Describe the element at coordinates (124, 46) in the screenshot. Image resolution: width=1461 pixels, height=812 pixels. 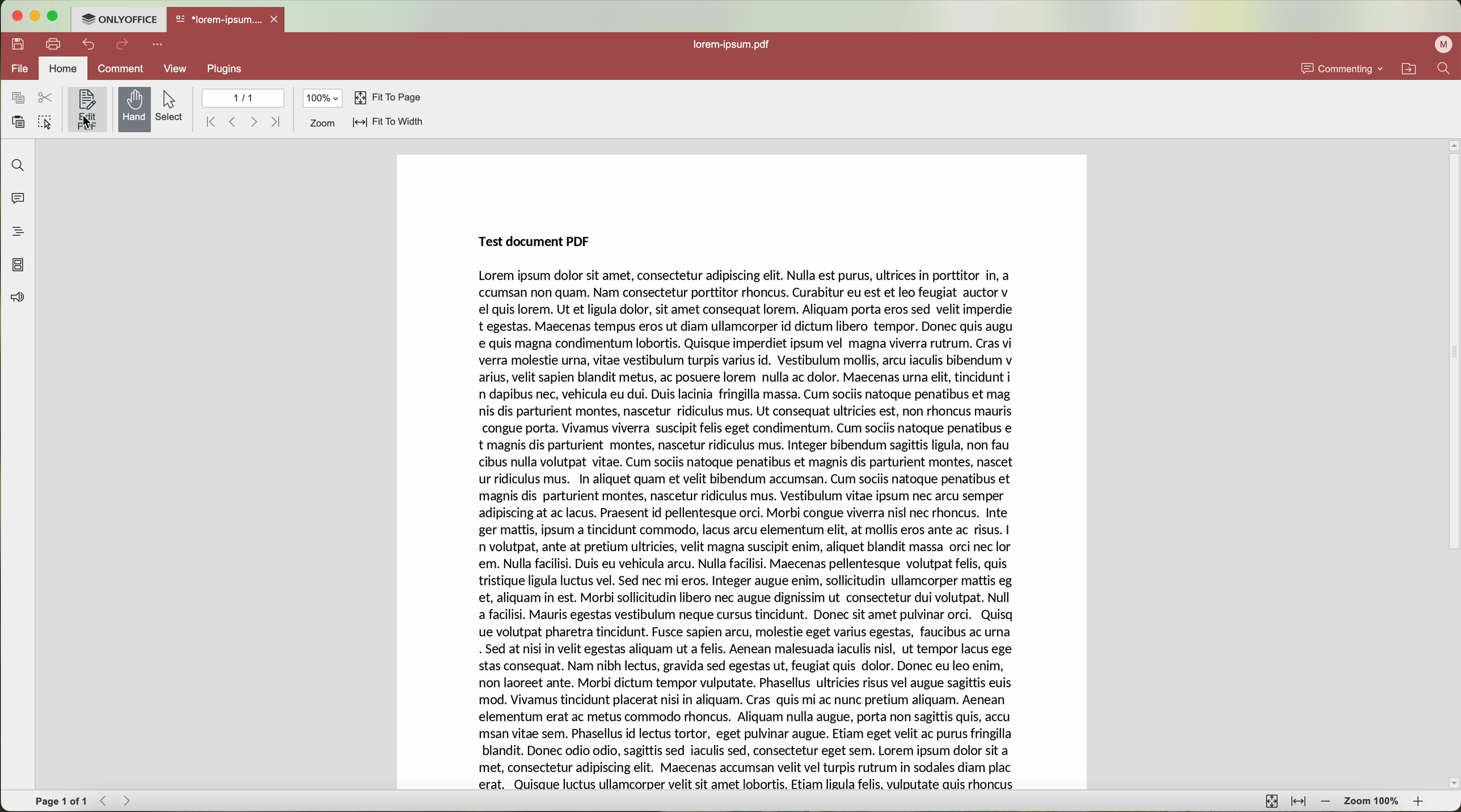
I see `redo` at that location.